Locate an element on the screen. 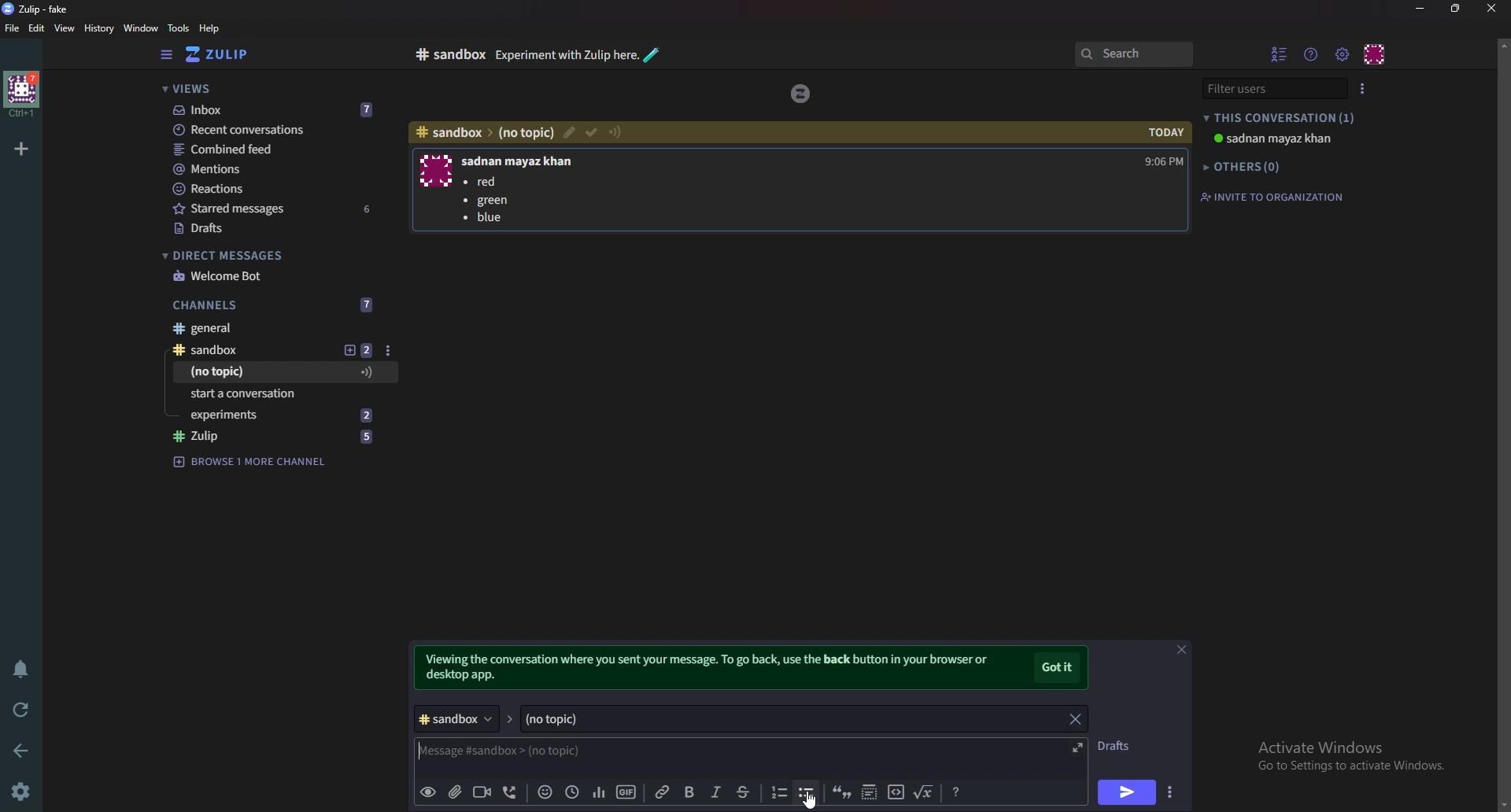  bold is located at coordinates (692, 793).